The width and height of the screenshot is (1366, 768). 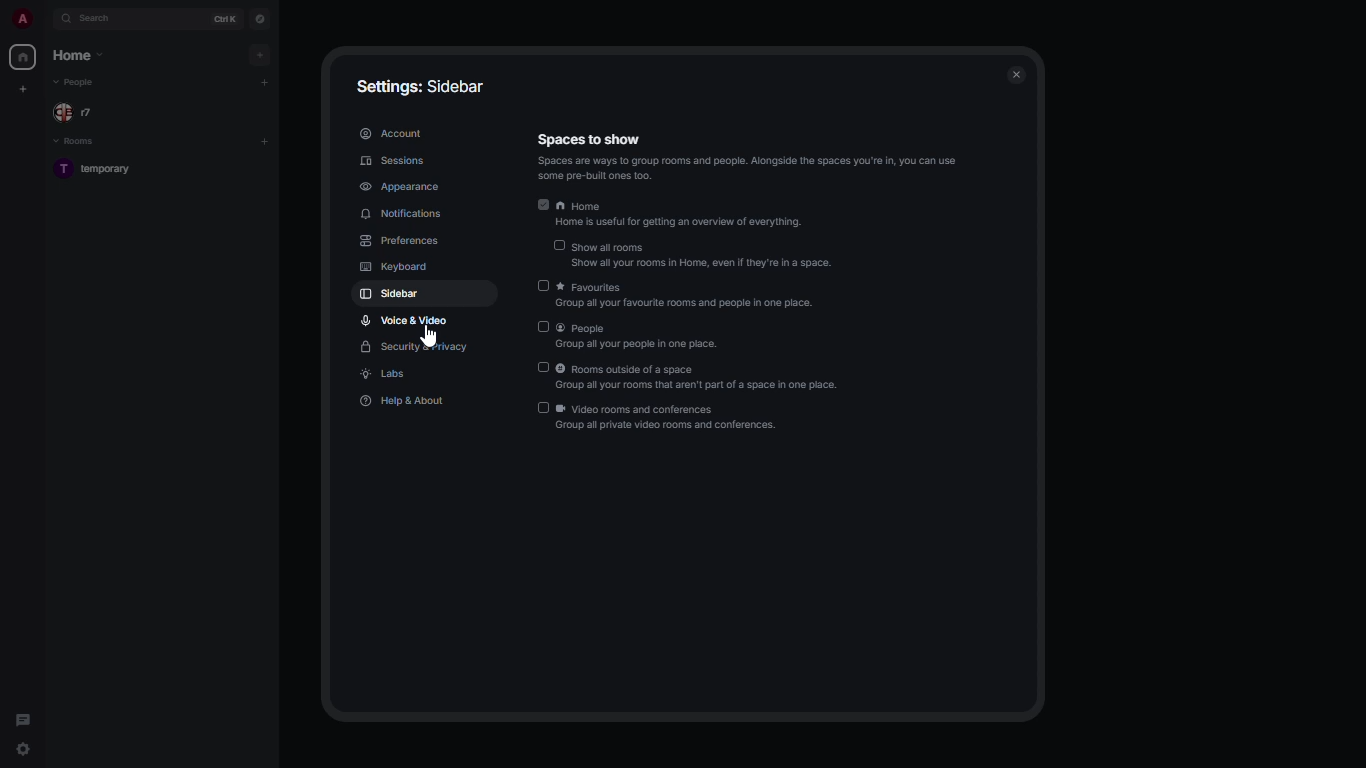 What do you see at coordinates (671, 417) in the screenshot?
I see `video rooms and conferences` at bounding box center [671, 417].